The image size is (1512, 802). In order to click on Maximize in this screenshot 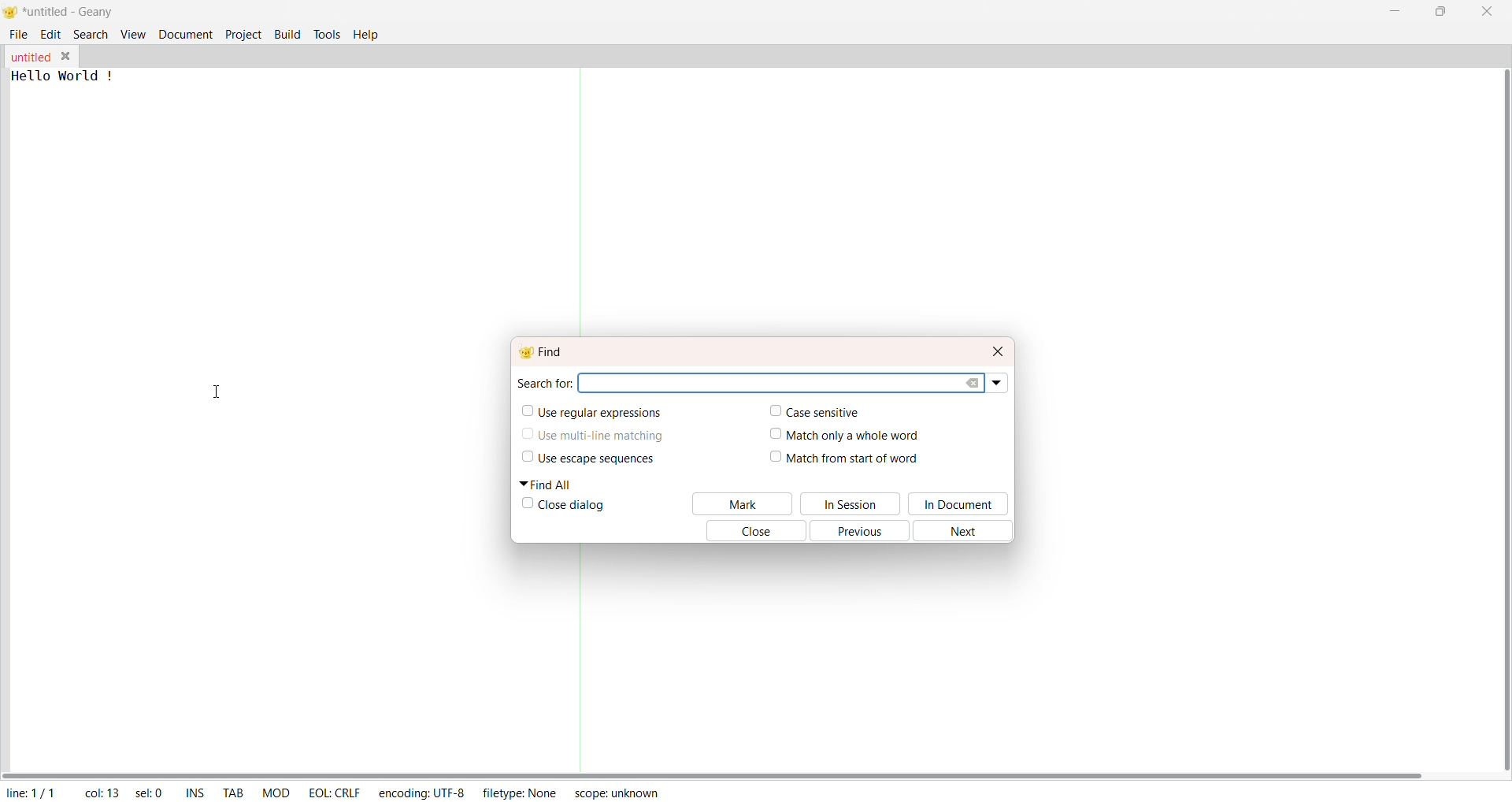, I will do `click(1440, 12)`.